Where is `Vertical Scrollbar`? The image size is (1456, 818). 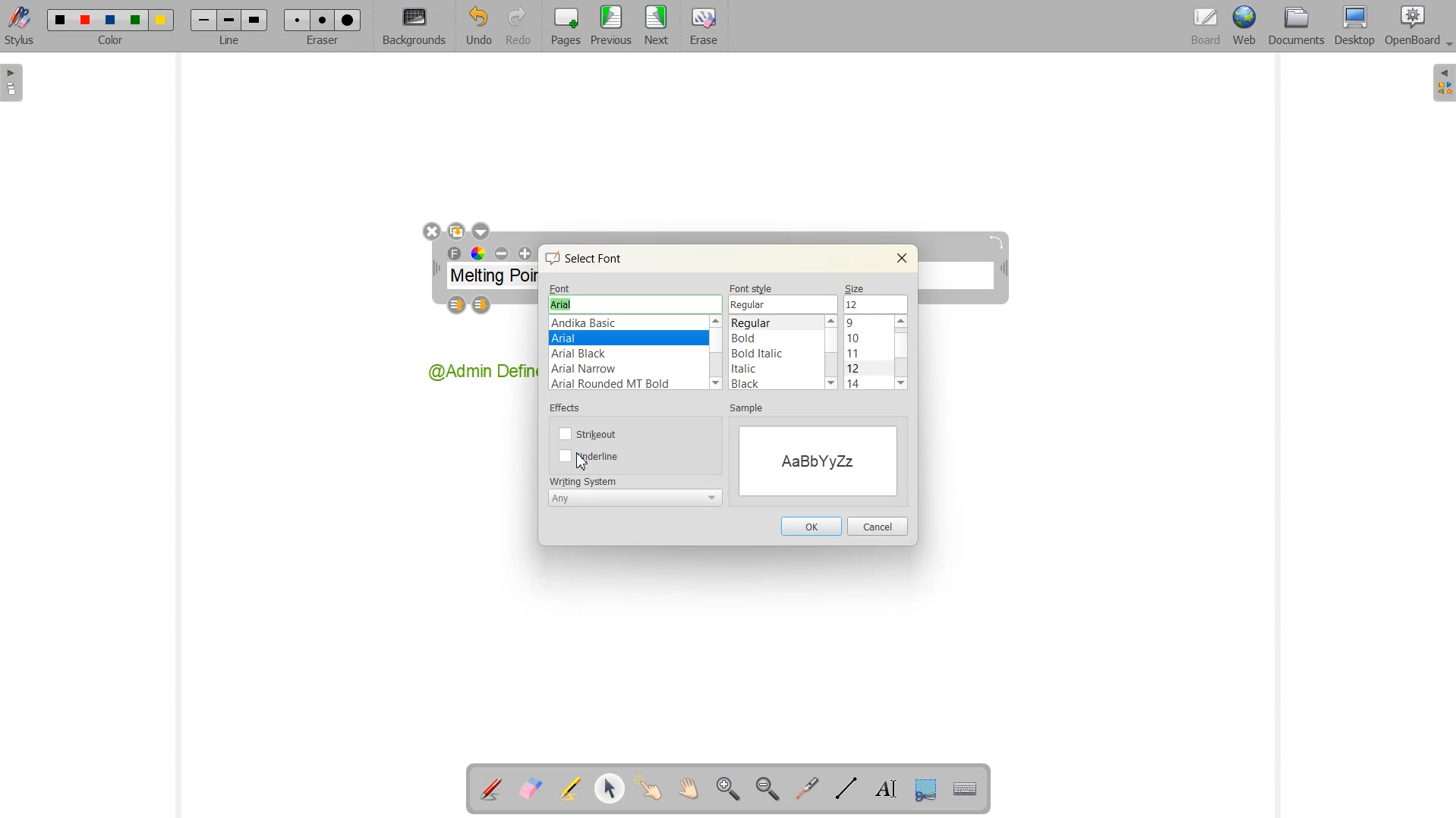
Vertical Scrollbar is located at coordinates (717, 354).